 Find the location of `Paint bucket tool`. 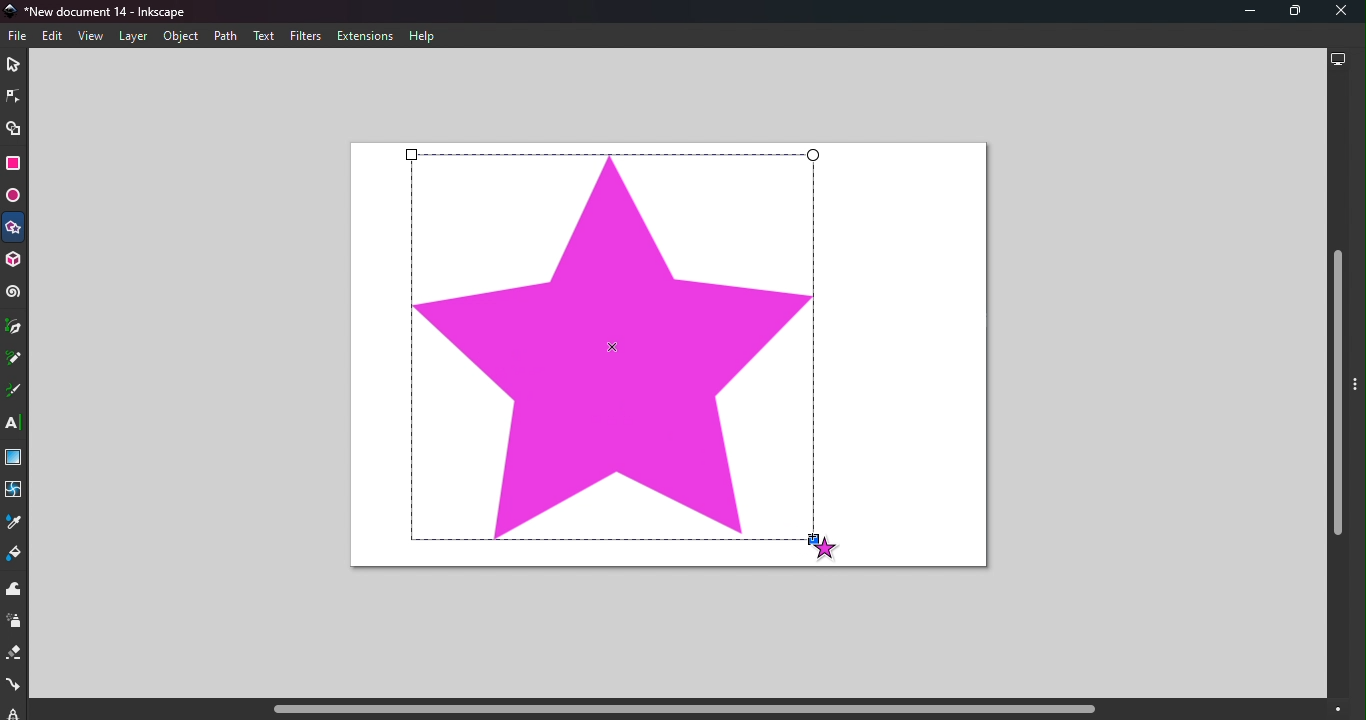

Paint bucket tool is located at coordinates (16, 556).